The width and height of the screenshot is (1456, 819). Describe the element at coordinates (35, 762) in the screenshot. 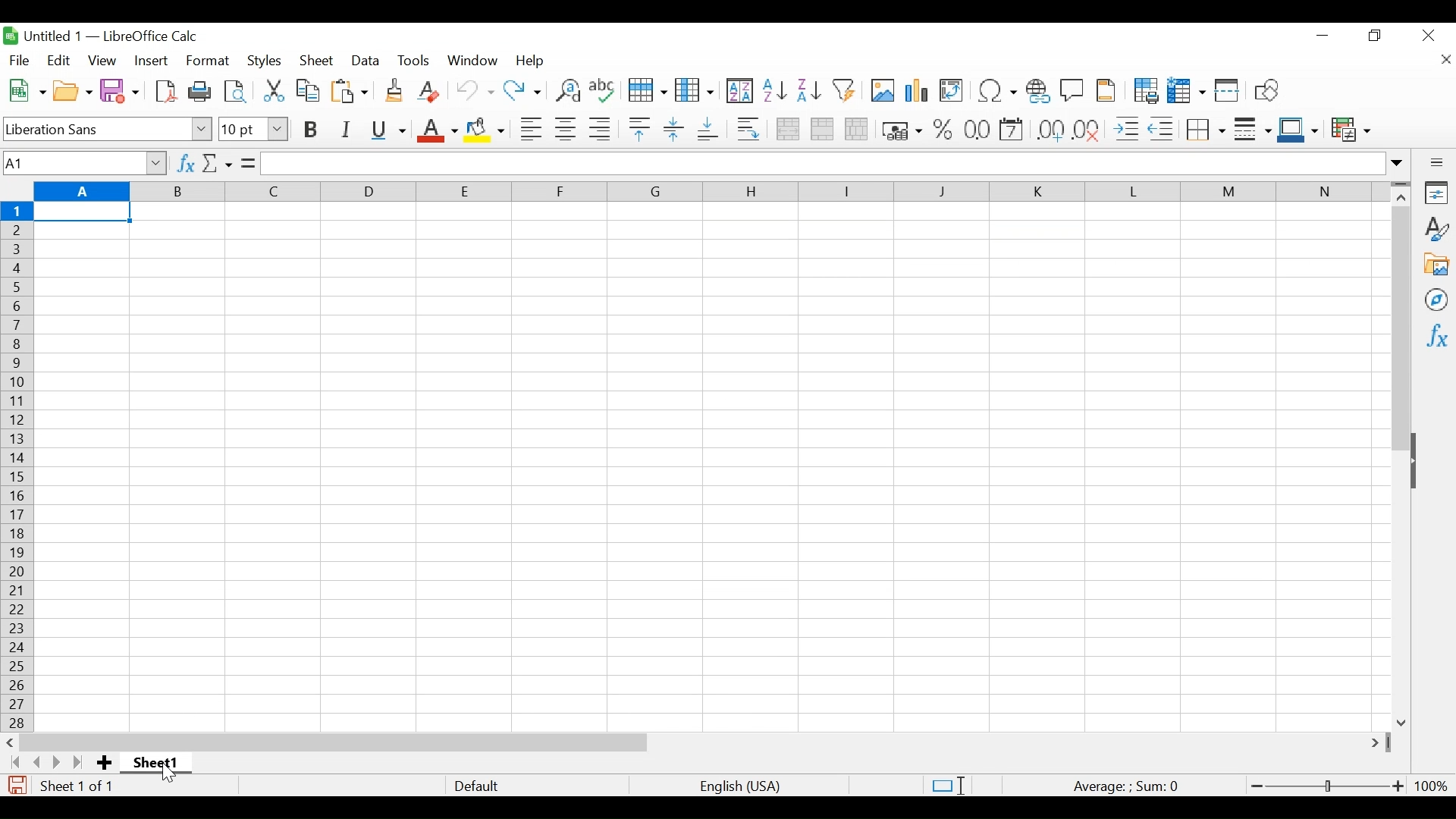

I see `Scroll to the previous sheet` at that location.